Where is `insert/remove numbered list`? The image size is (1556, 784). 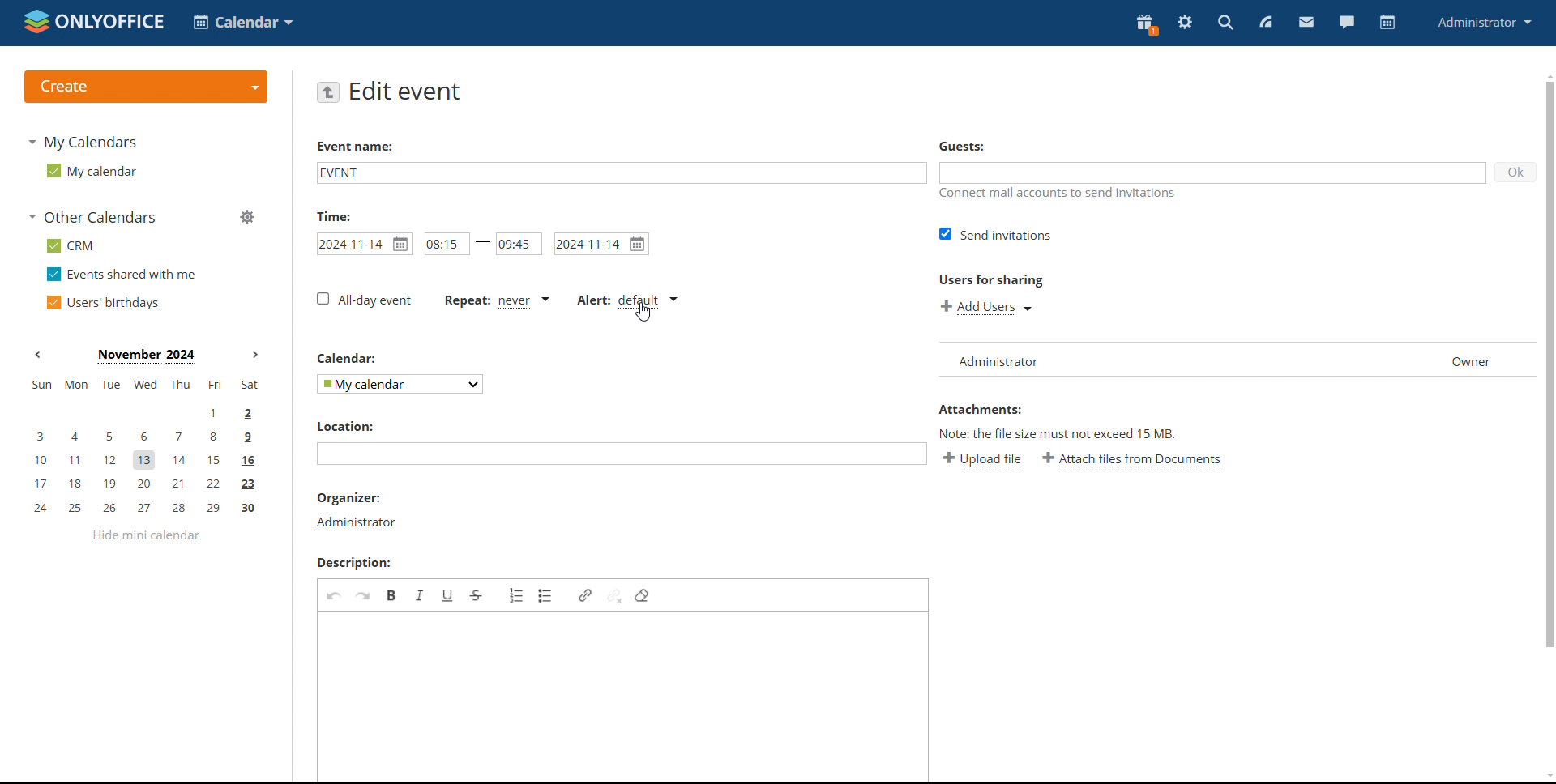 insert/remove numbered list is located at coordinates (517, 594).